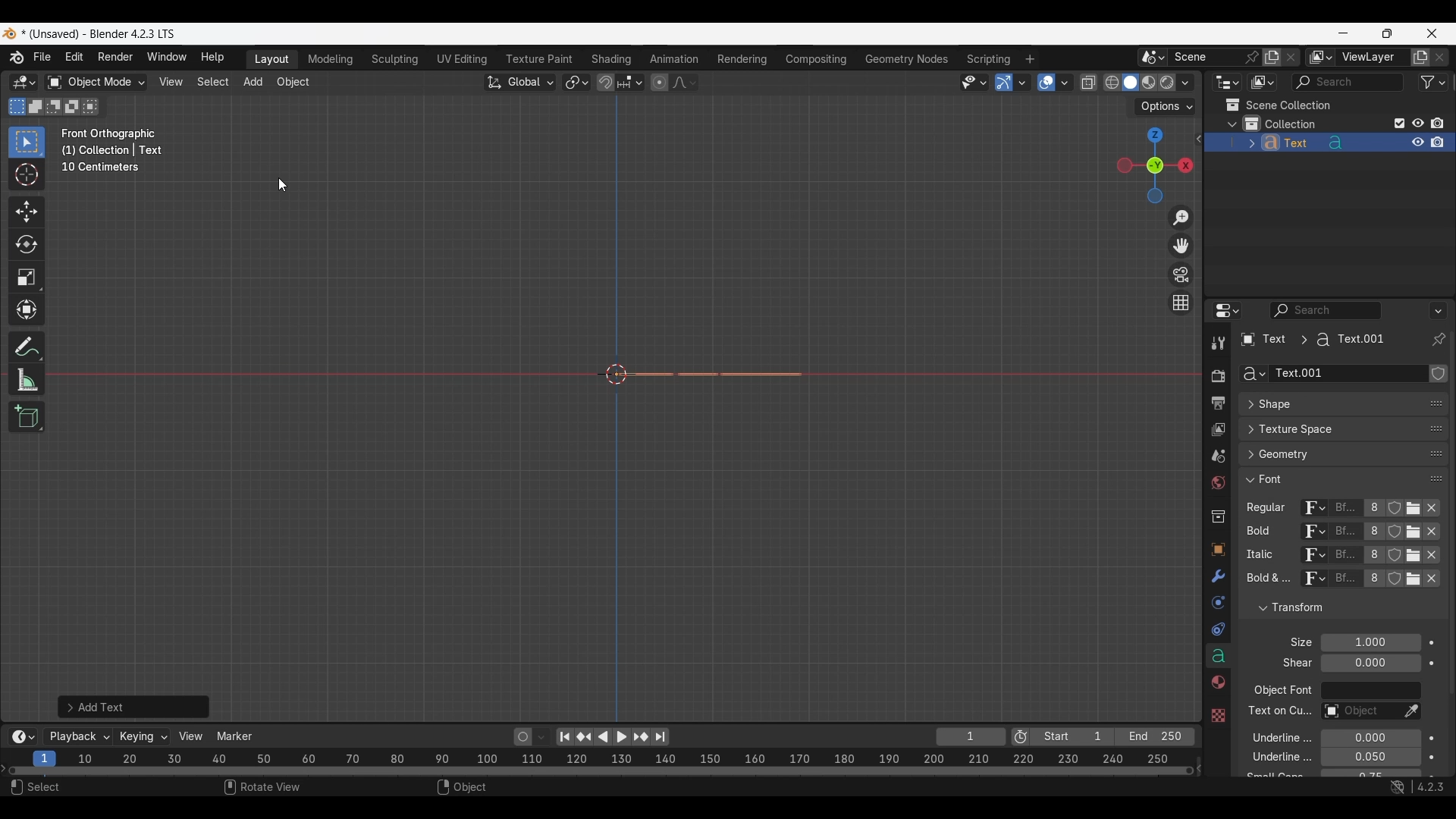  What do you see at coordinates (617, 373) in the screenshot?
I see `Cursor at the center point of the frame` at bounding box center [617, 373].